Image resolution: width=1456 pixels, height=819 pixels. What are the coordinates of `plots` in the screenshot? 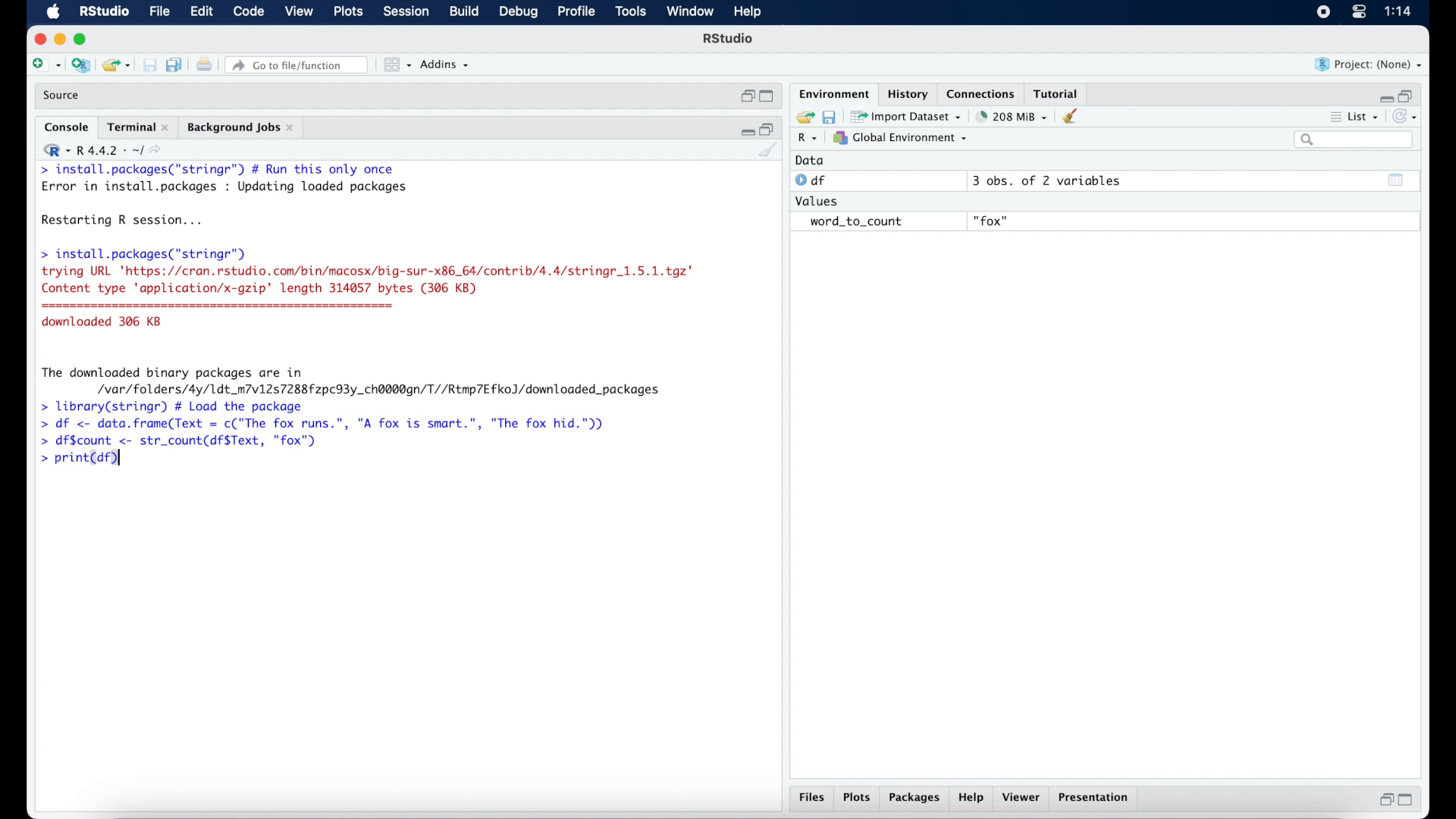 It's located at (350, 12).